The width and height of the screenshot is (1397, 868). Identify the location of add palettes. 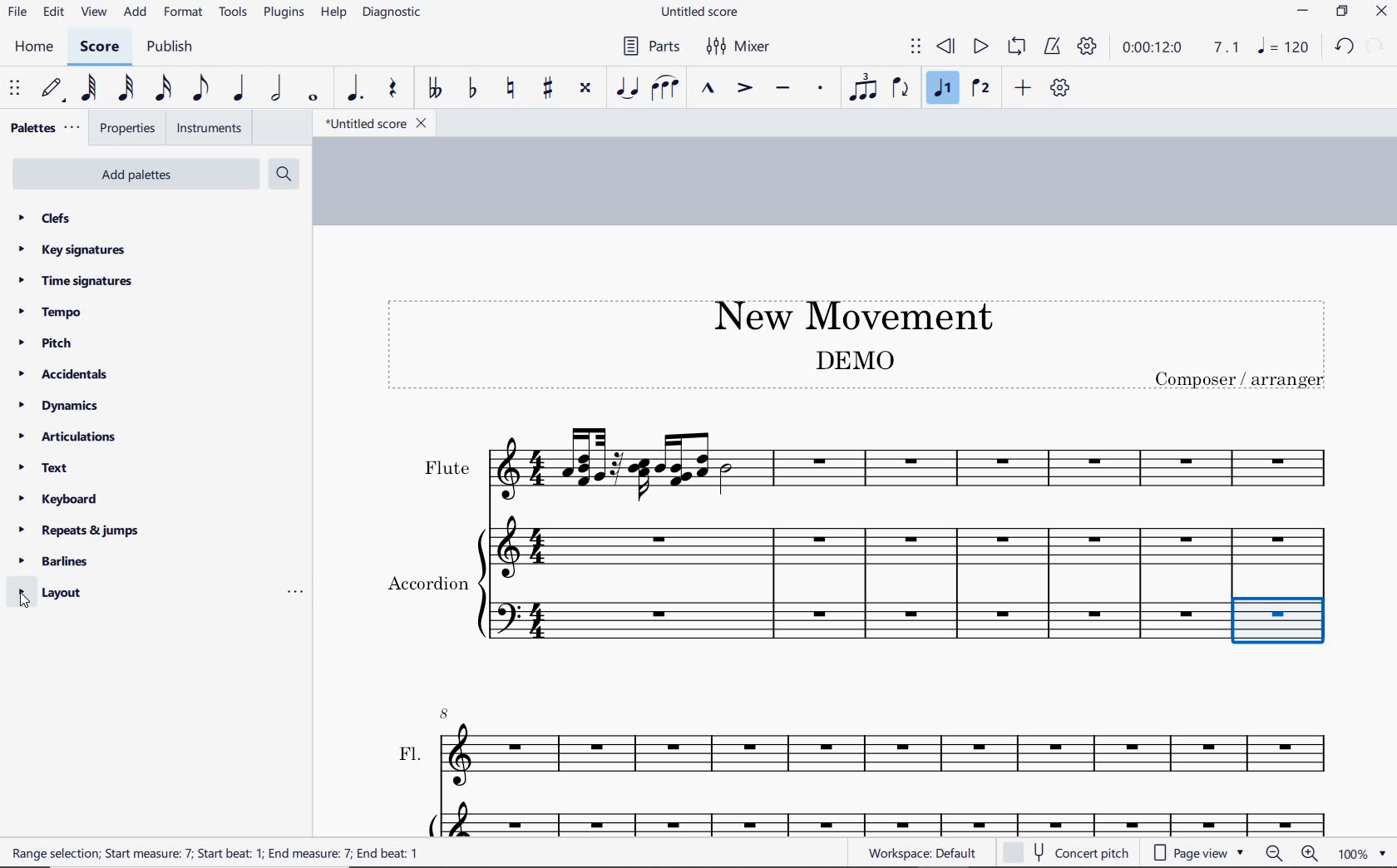
(138, 177).